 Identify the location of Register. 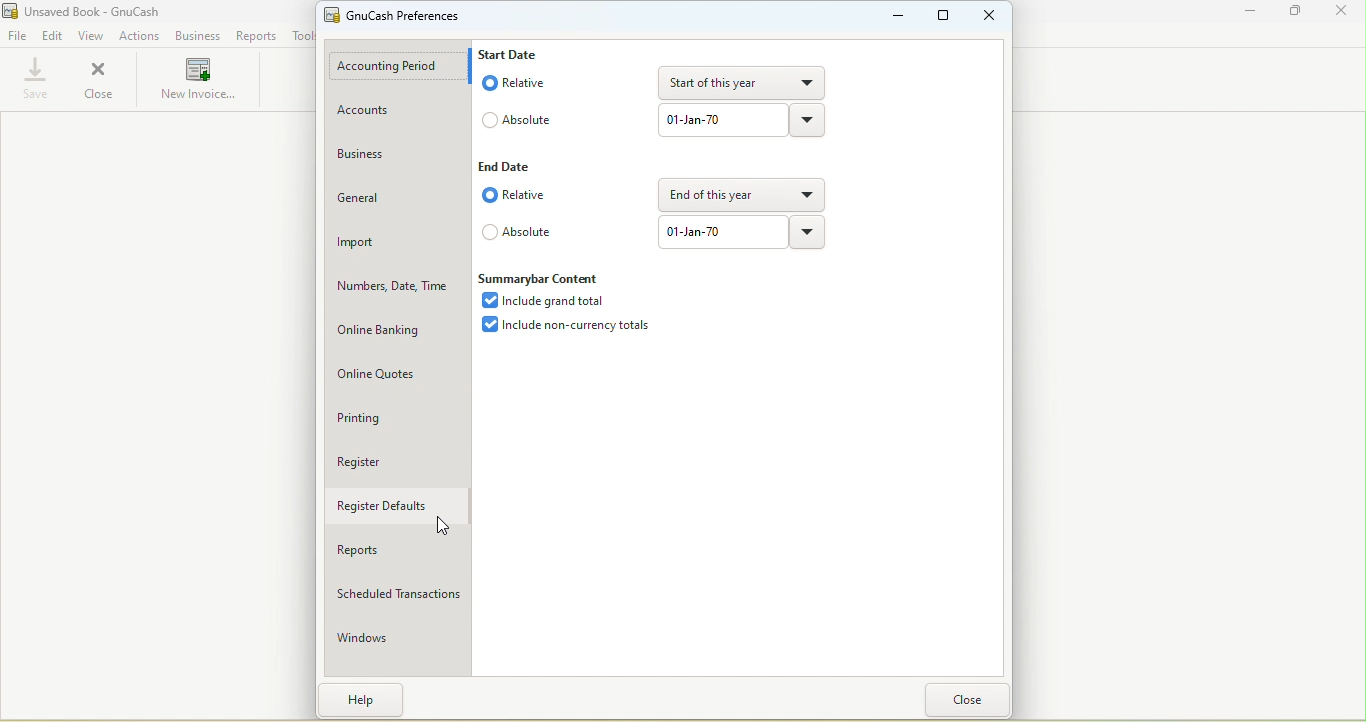
(399, 467).